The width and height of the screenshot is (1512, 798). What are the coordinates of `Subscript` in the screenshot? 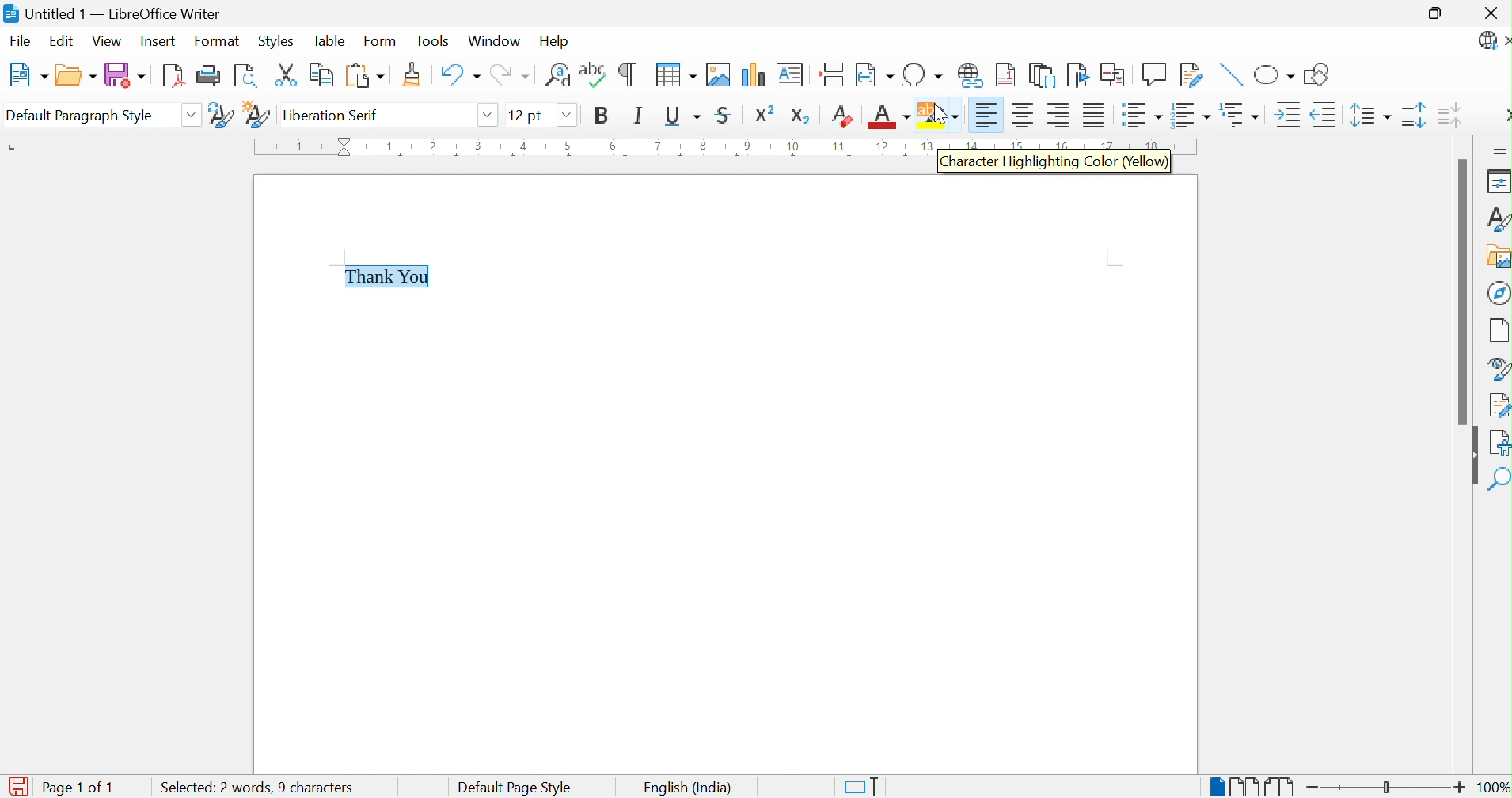 It's located at (801, 116).